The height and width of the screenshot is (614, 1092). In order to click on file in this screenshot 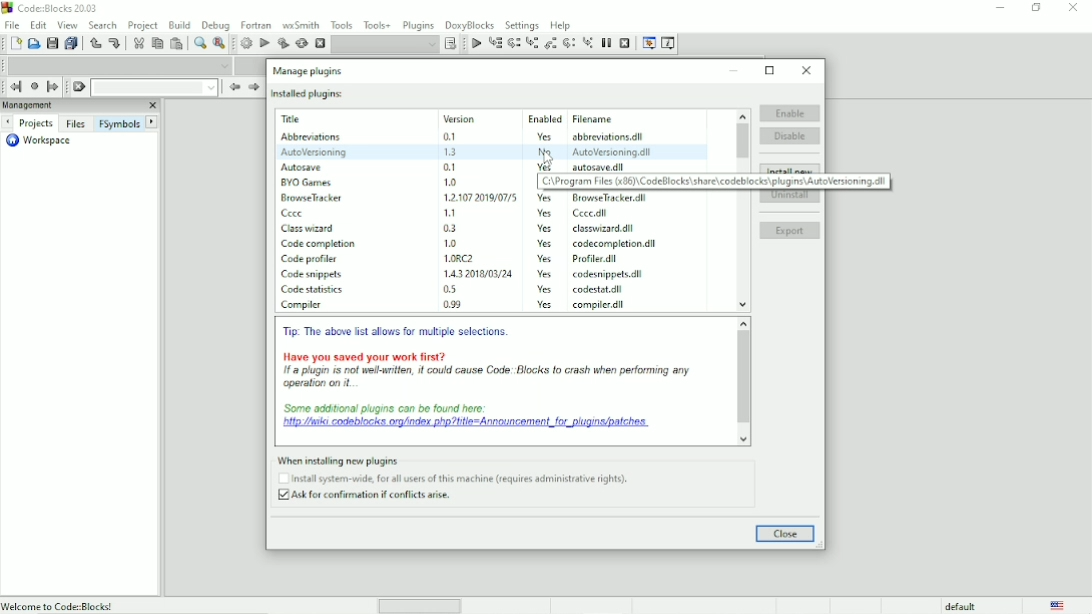, I will do `click(609, 198)`.